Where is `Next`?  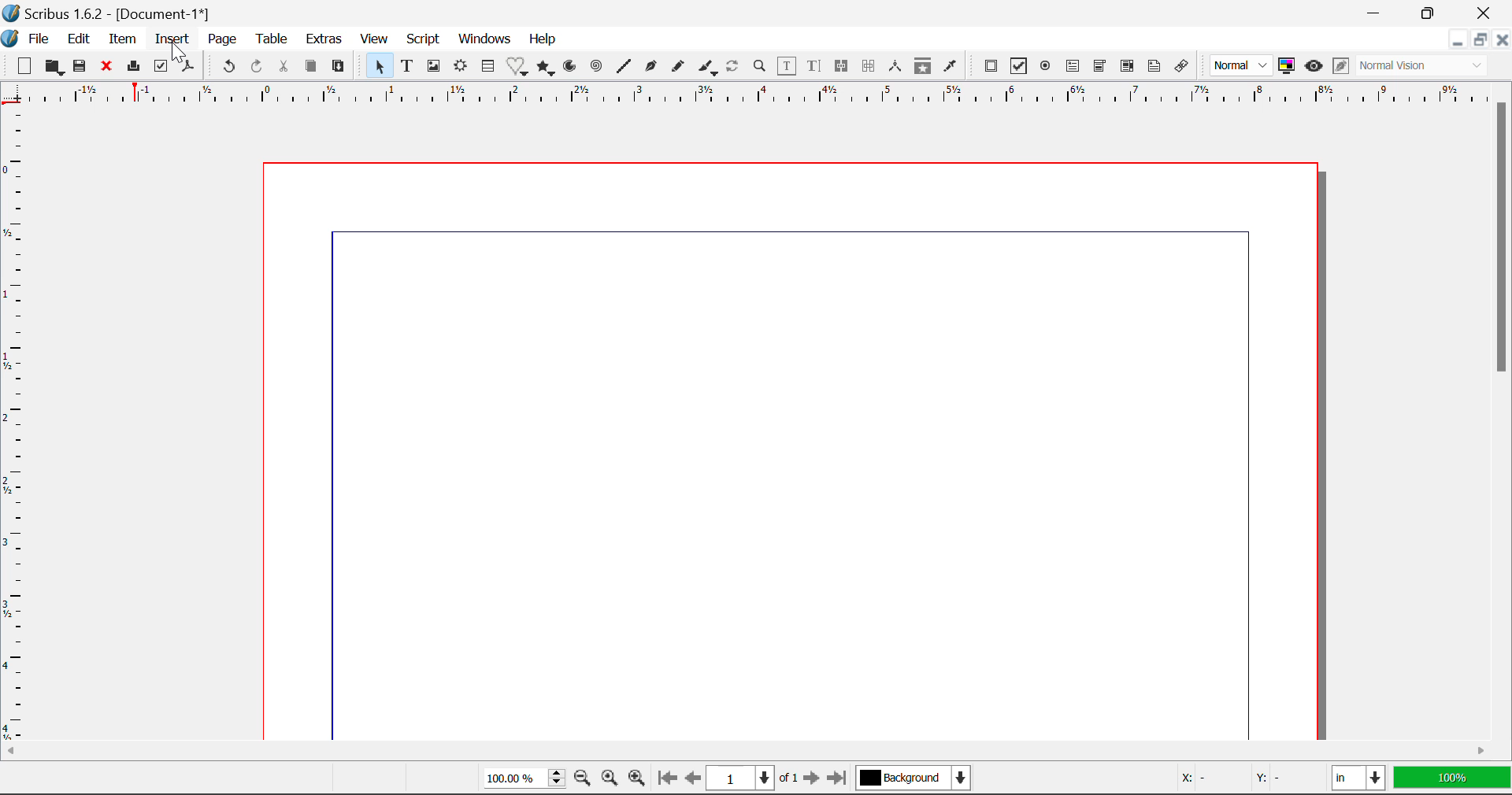
Next is located at coordinates (813, 779).